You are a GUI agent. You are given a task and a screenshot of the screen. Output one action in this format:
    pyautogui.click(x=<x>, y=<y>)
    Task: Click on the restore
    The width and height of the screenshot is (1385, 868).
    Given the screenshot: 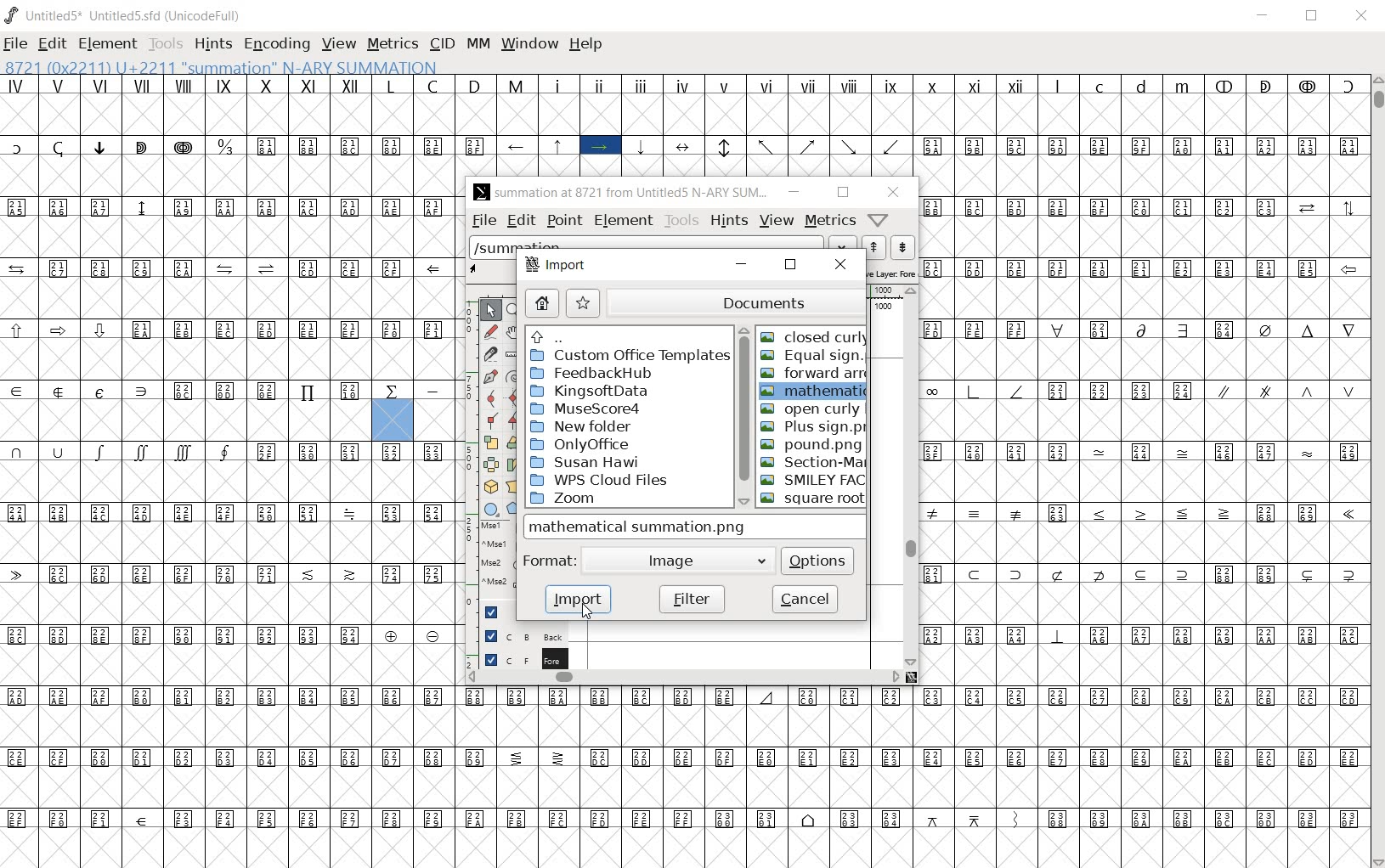 What is the action you would take?
    pyautogui.click(x=842, y=193)
    